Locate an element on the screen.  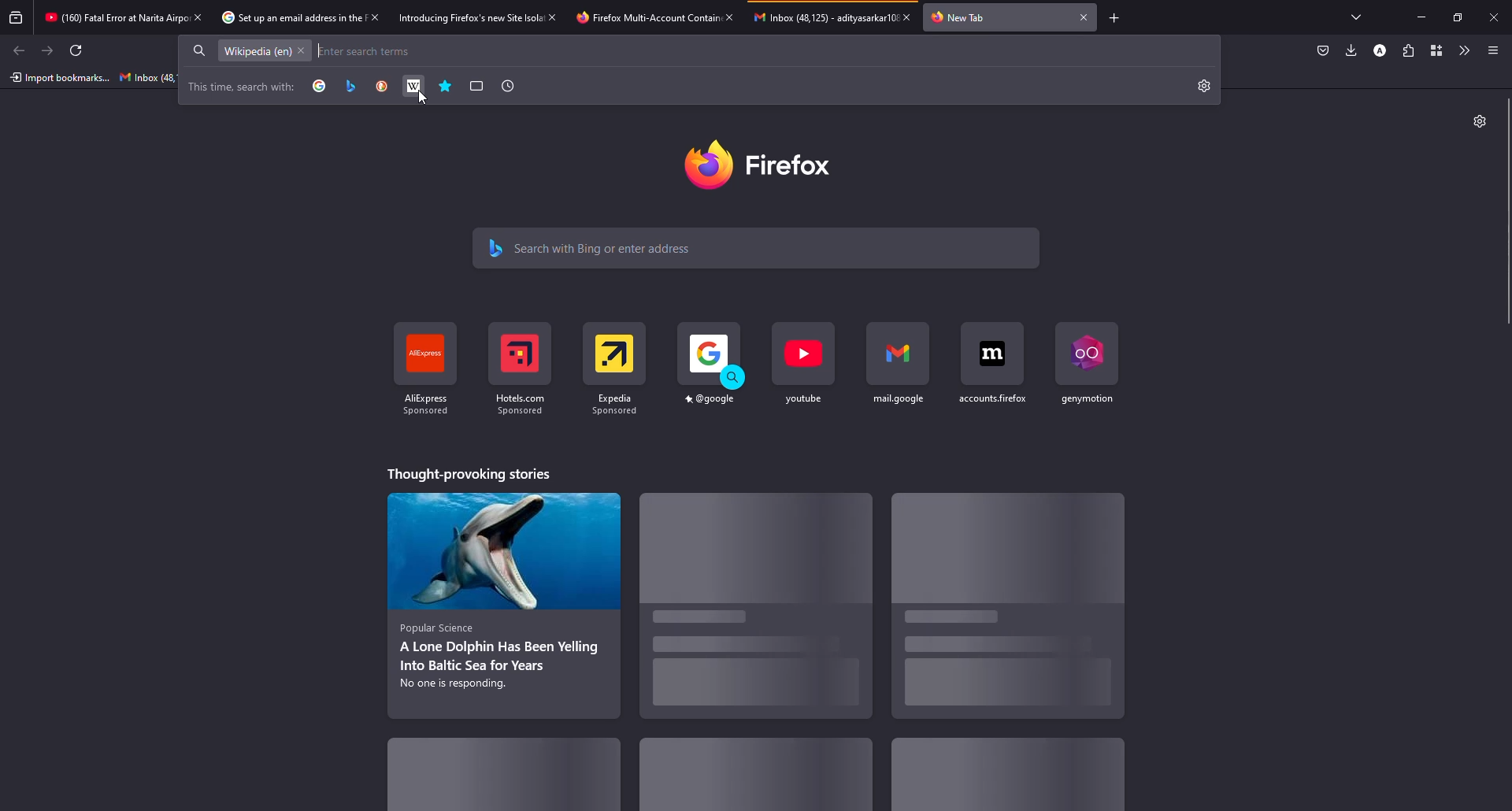
container is located at coordinates (1434, 50).